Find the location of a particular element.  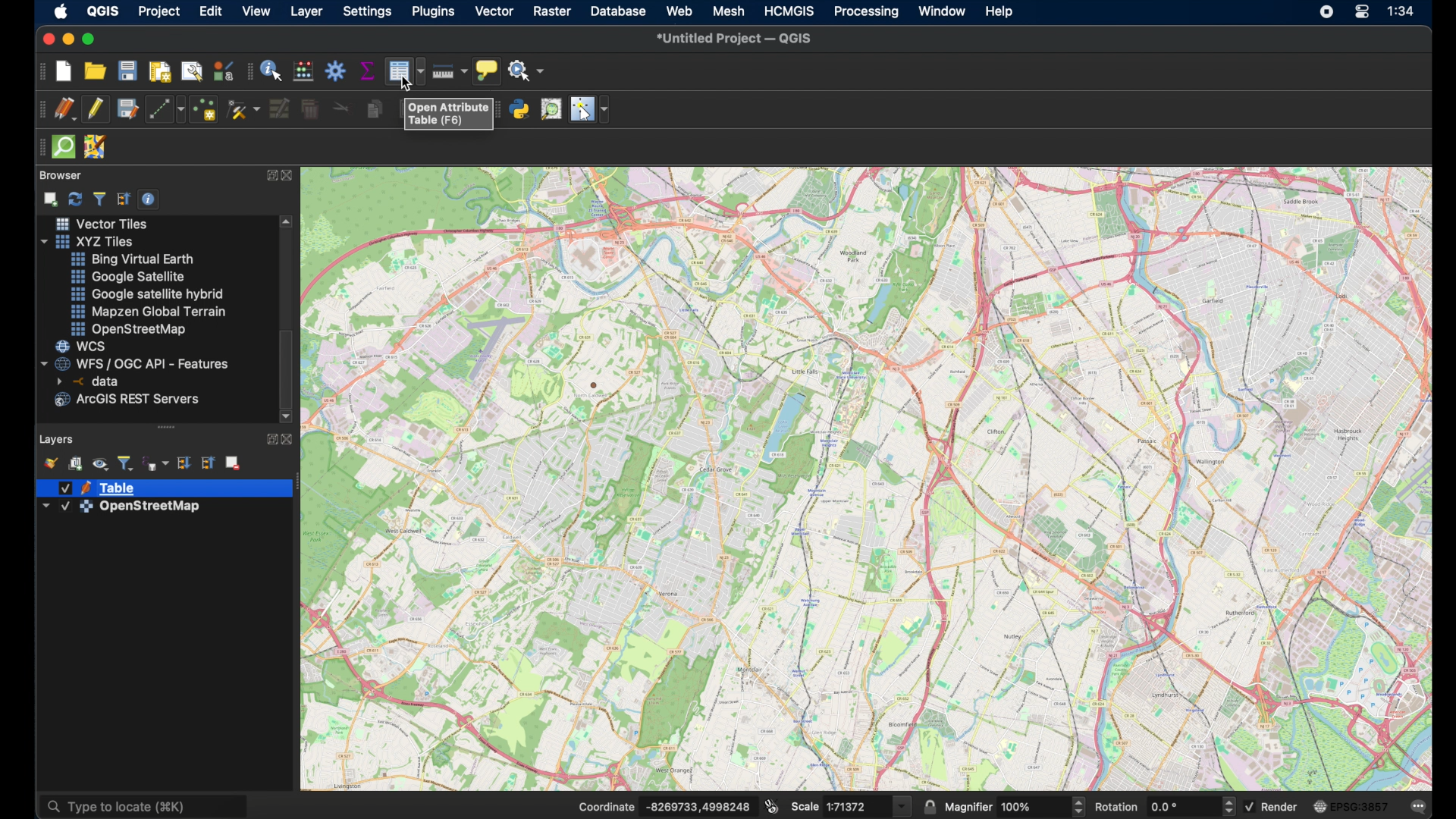

scroll box is located at coordinates (287, 365).